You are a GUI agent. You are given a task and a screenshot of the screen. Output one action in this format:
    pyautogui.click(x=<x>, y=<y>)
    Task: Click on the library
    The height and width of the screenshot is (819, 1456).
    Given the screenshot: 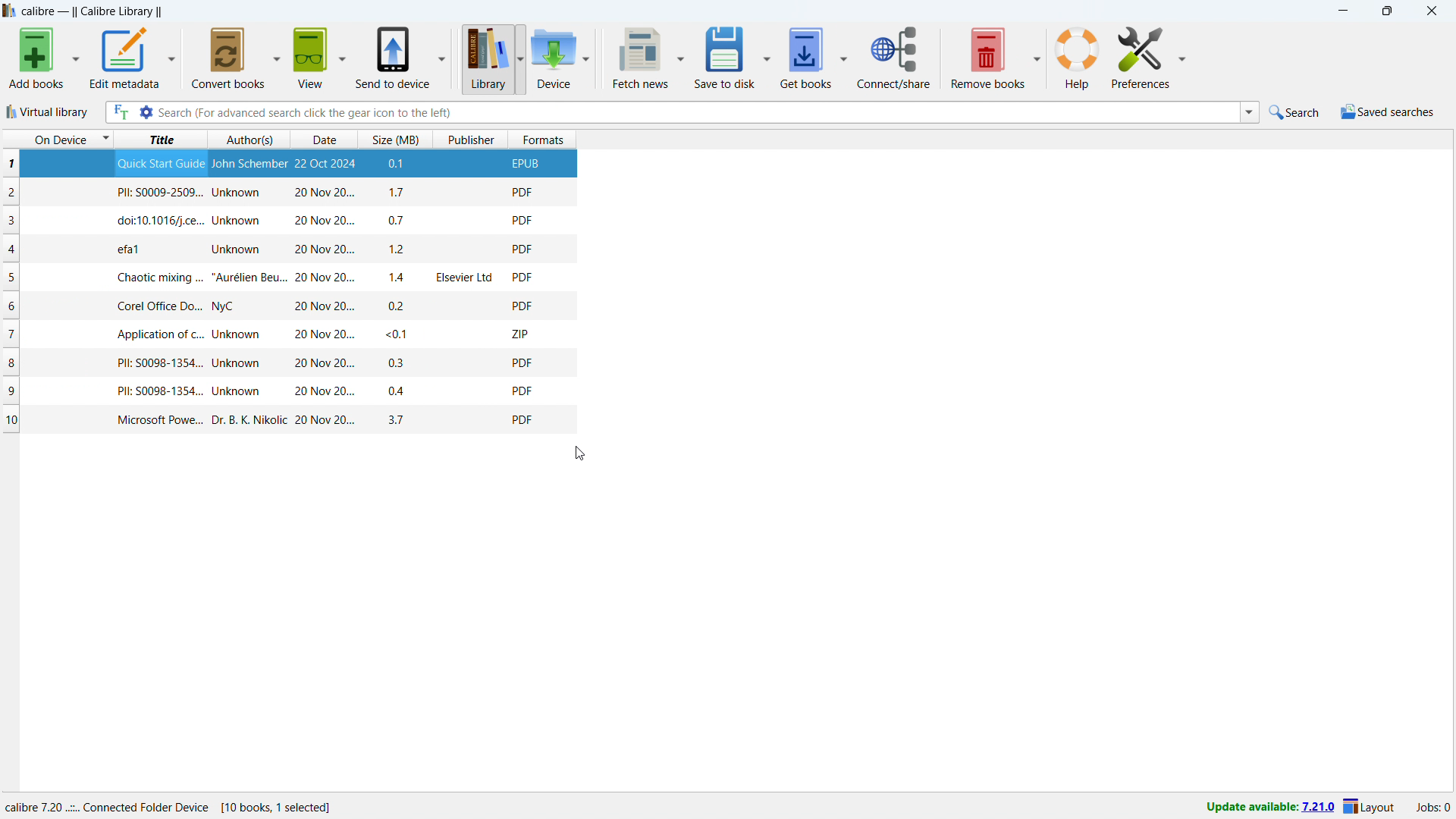 What is the action you would take?
    pyautogui.click(x=482, y=57)
    